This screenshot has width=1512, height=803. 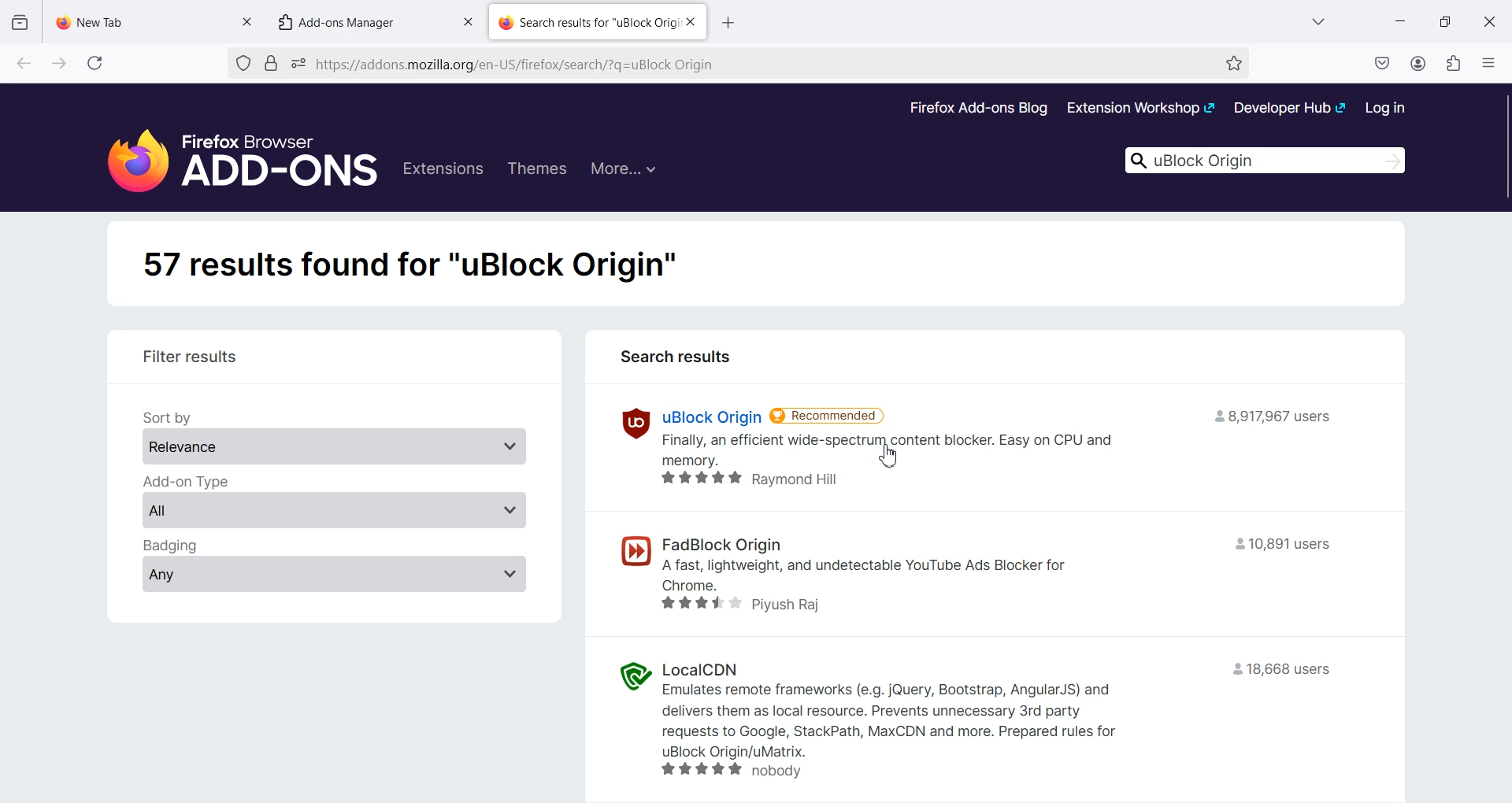 What do you see at coordinates (727, 539) in the screenshot?
I see `FadBlock origin` at bounding box center [727, 539].